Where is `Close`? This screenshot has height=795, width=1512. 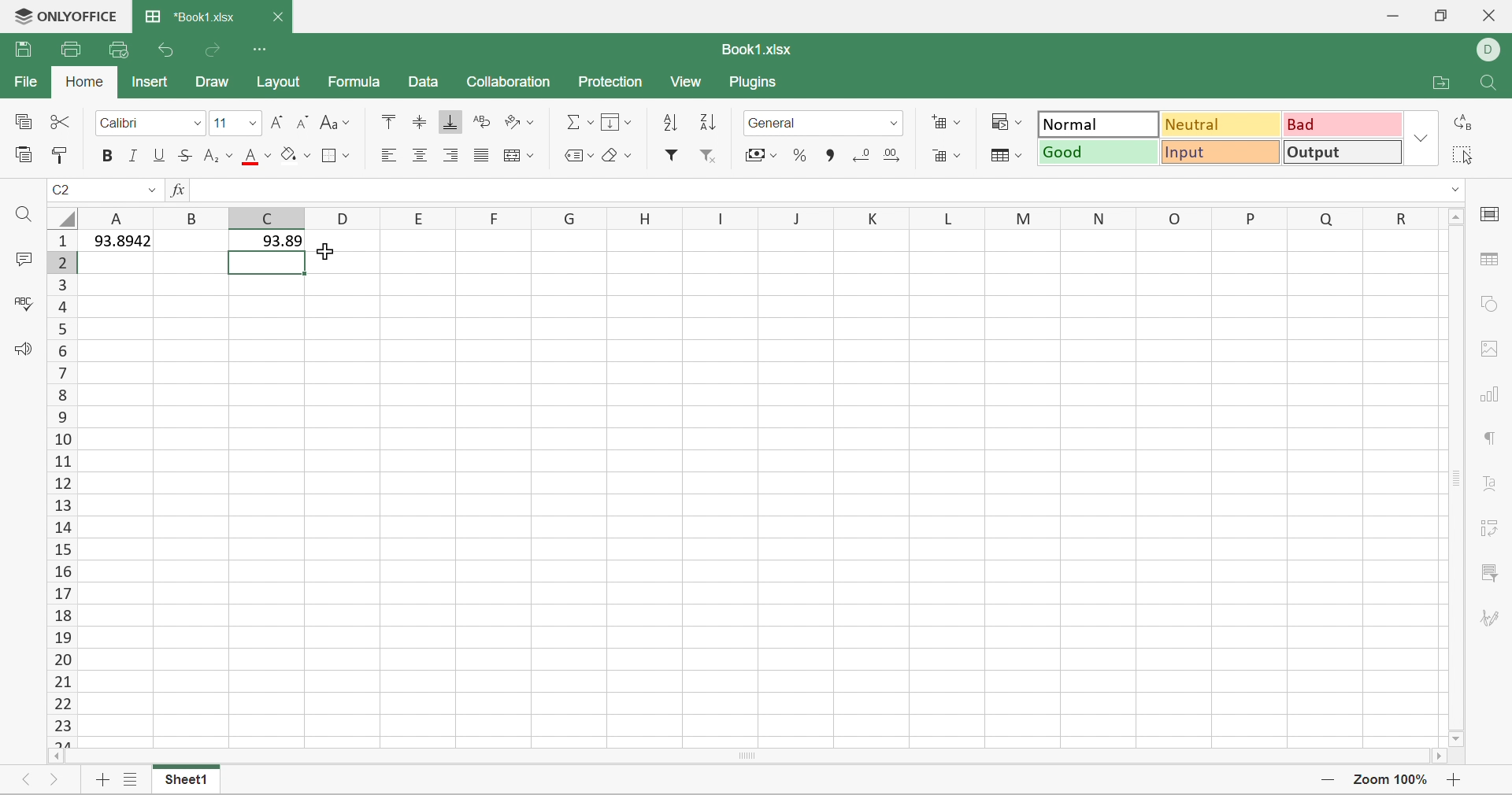
Close is located at coordinates (1489, 14).